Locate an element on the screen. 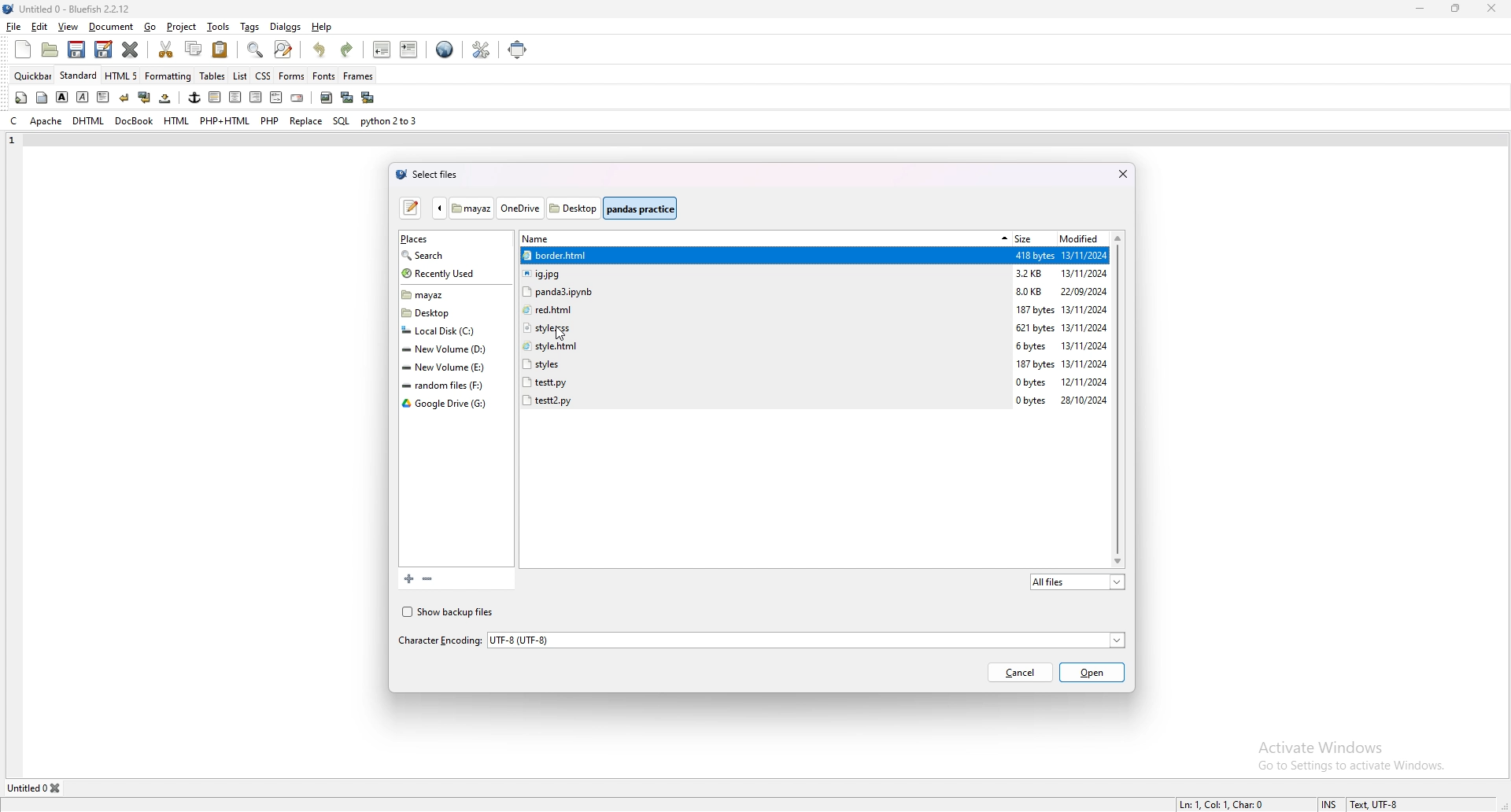  centre is located at coordinates (235, 96).